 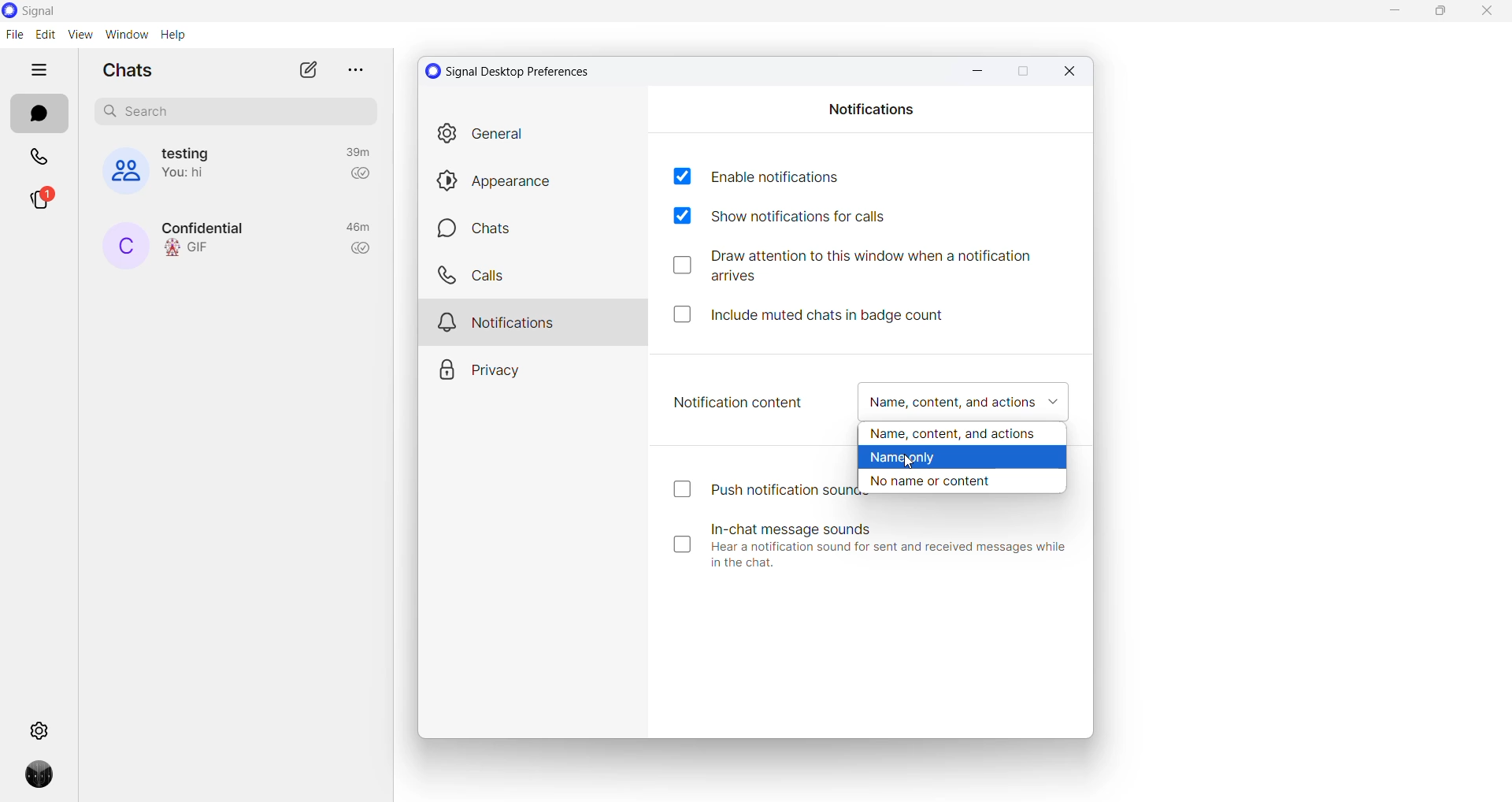 What do you see at coordinates (44, 35) in the screenshot?
I see `edit` at bounding box center [44, 35].